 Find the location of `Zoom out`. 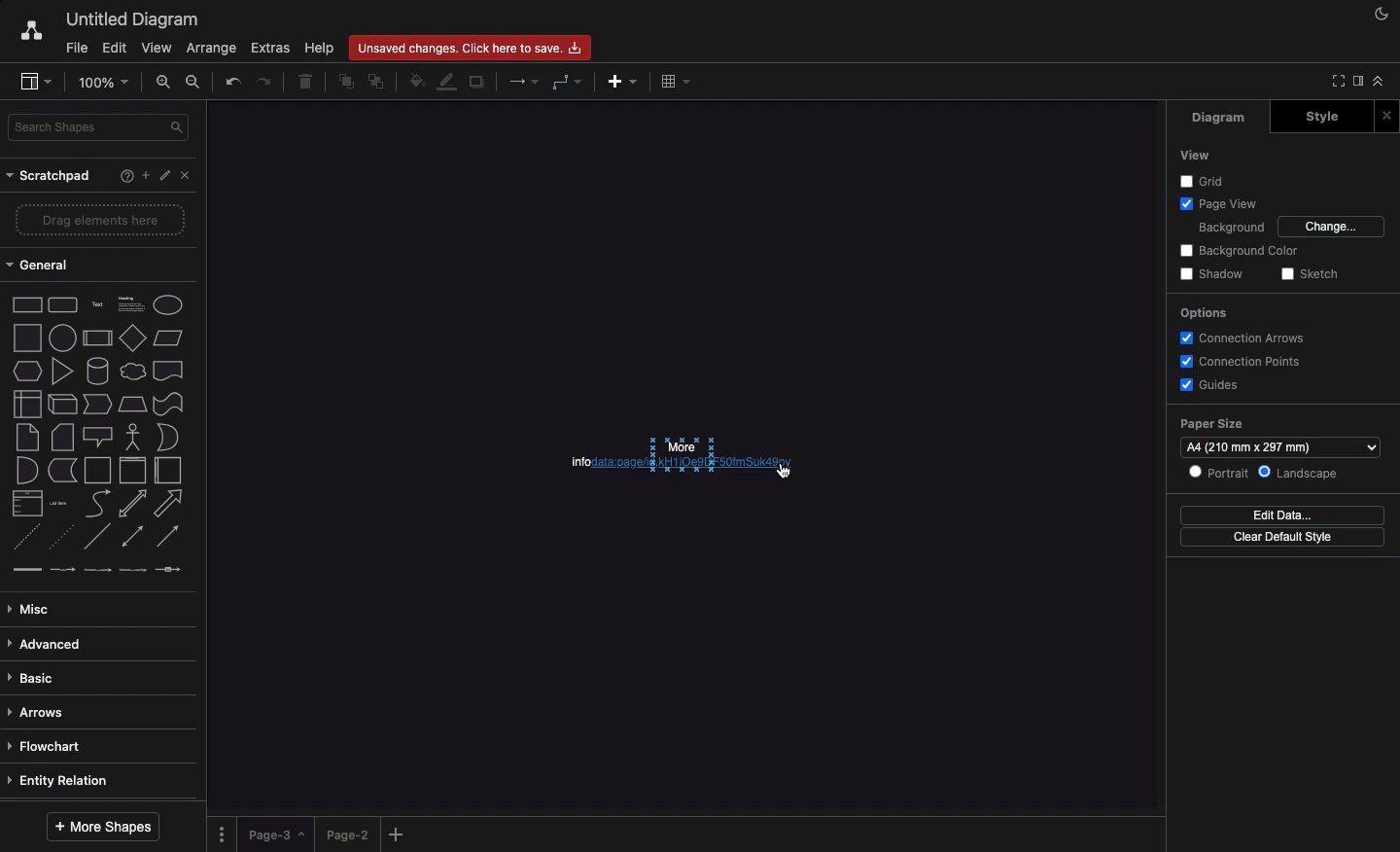

Zoom out is located at coordinates (197, 84).